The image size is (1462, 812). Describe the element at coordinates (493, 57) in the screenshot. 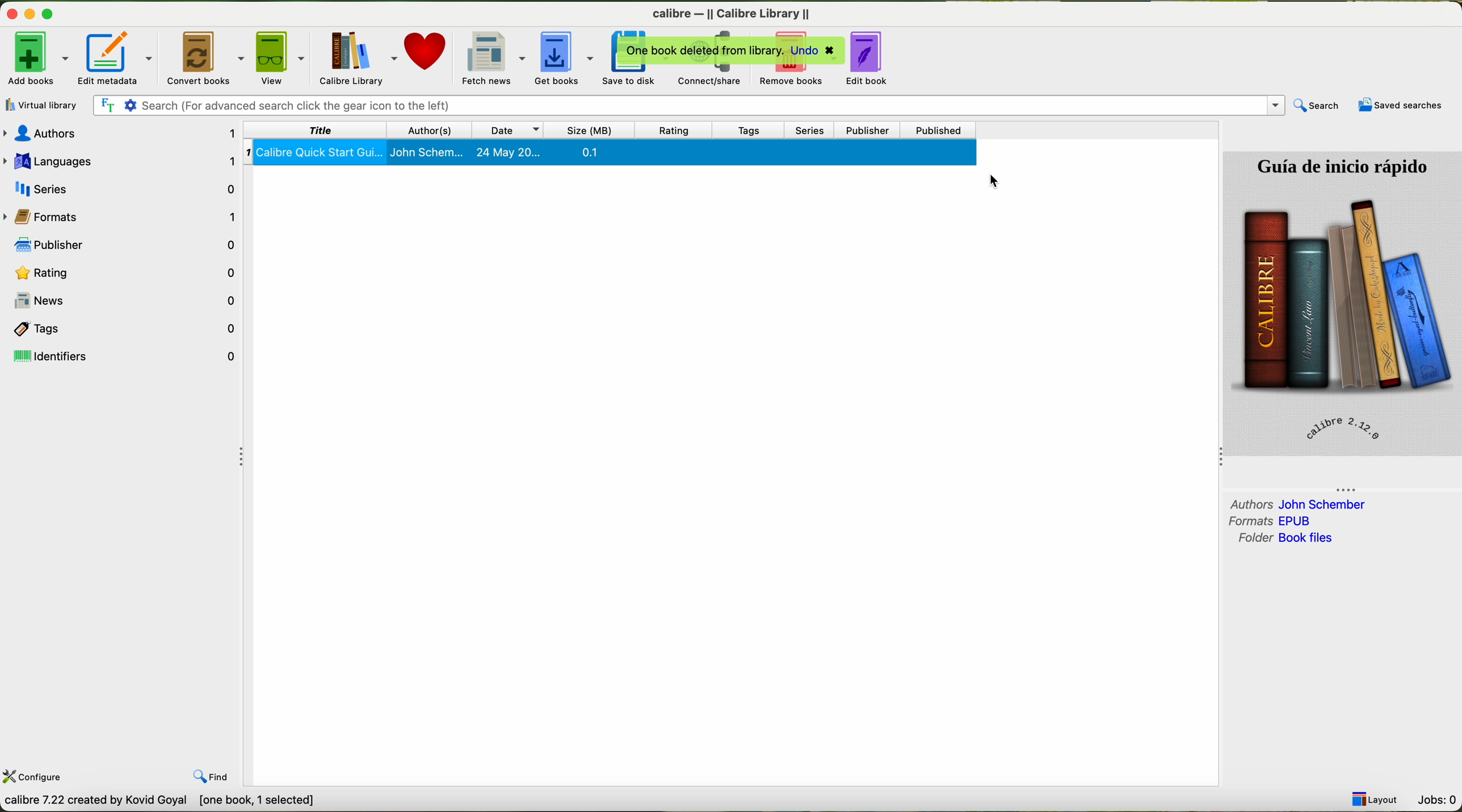

I see `fletch news` at that location.